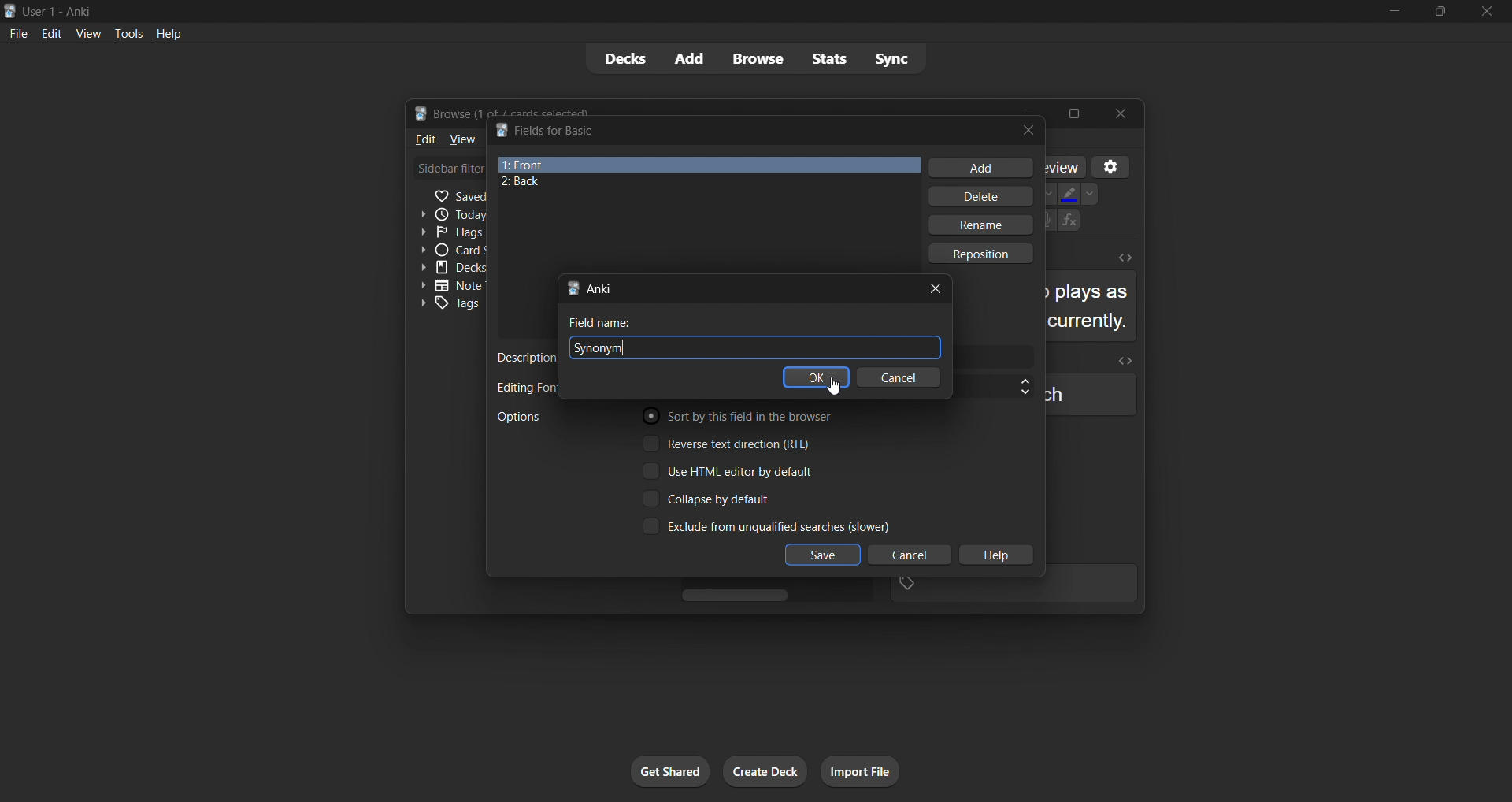 The height and width of the screenshot is (802, 1512). I want to click on help, so click(997, 556).